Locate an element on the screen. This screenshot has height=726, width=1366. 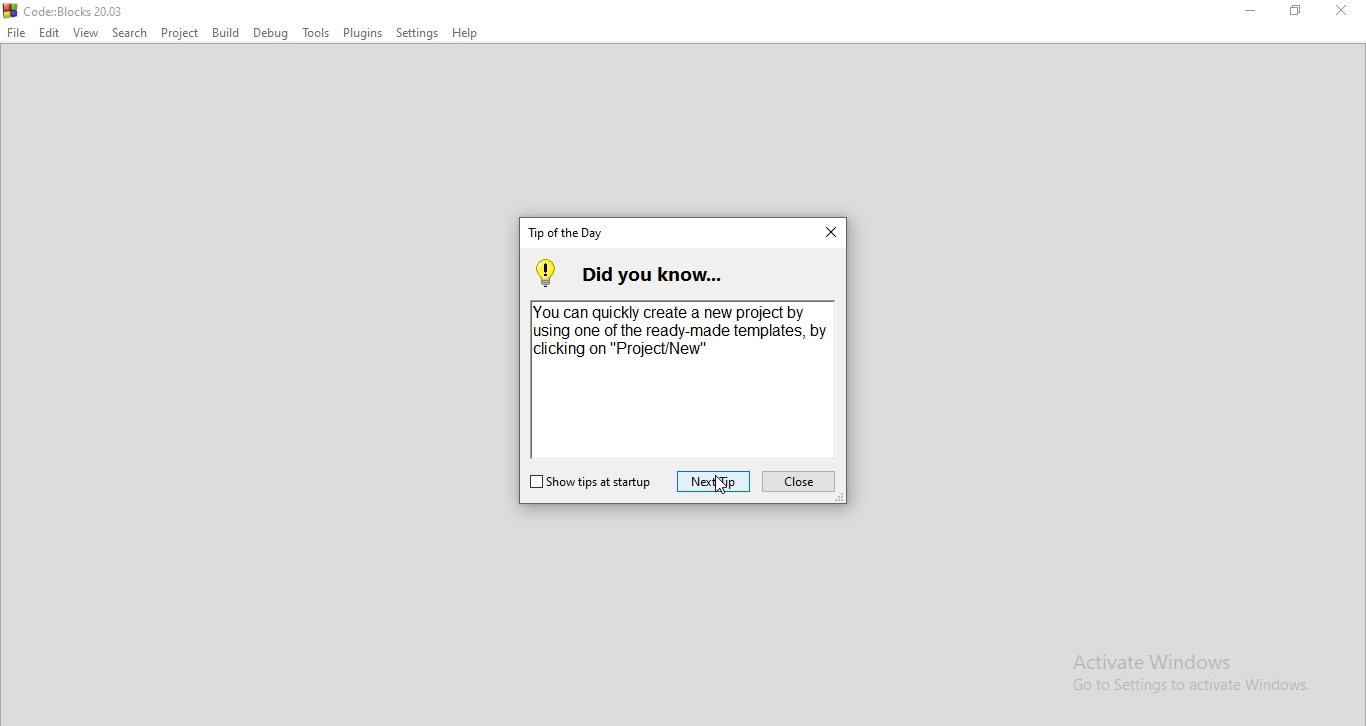
next tip is located at coordinates (713, 481).